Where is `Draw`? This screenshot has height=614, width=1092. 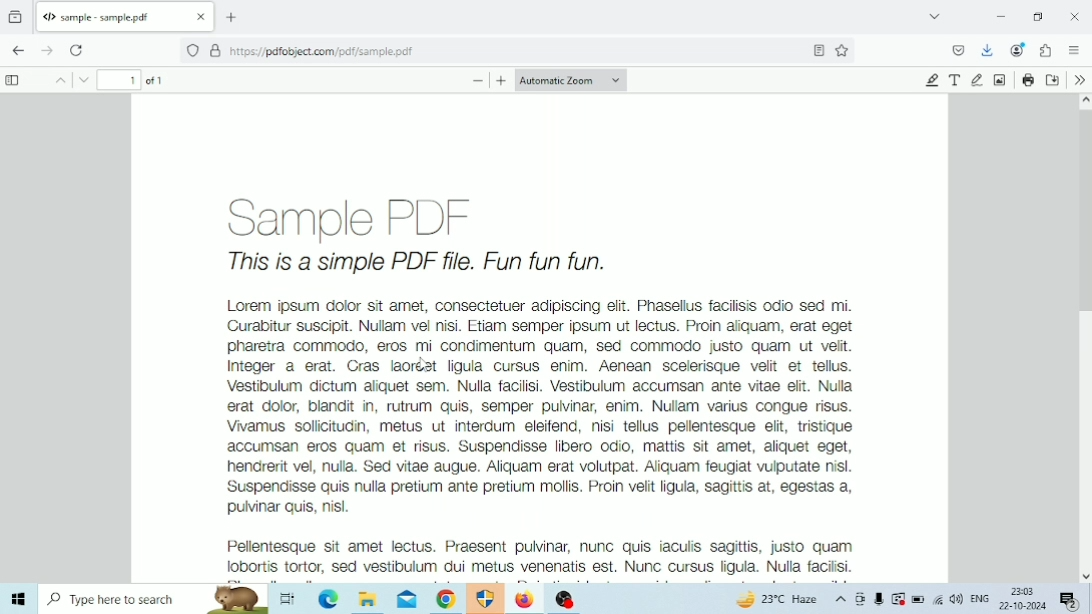
Draw is located at coordinates (977, 80).